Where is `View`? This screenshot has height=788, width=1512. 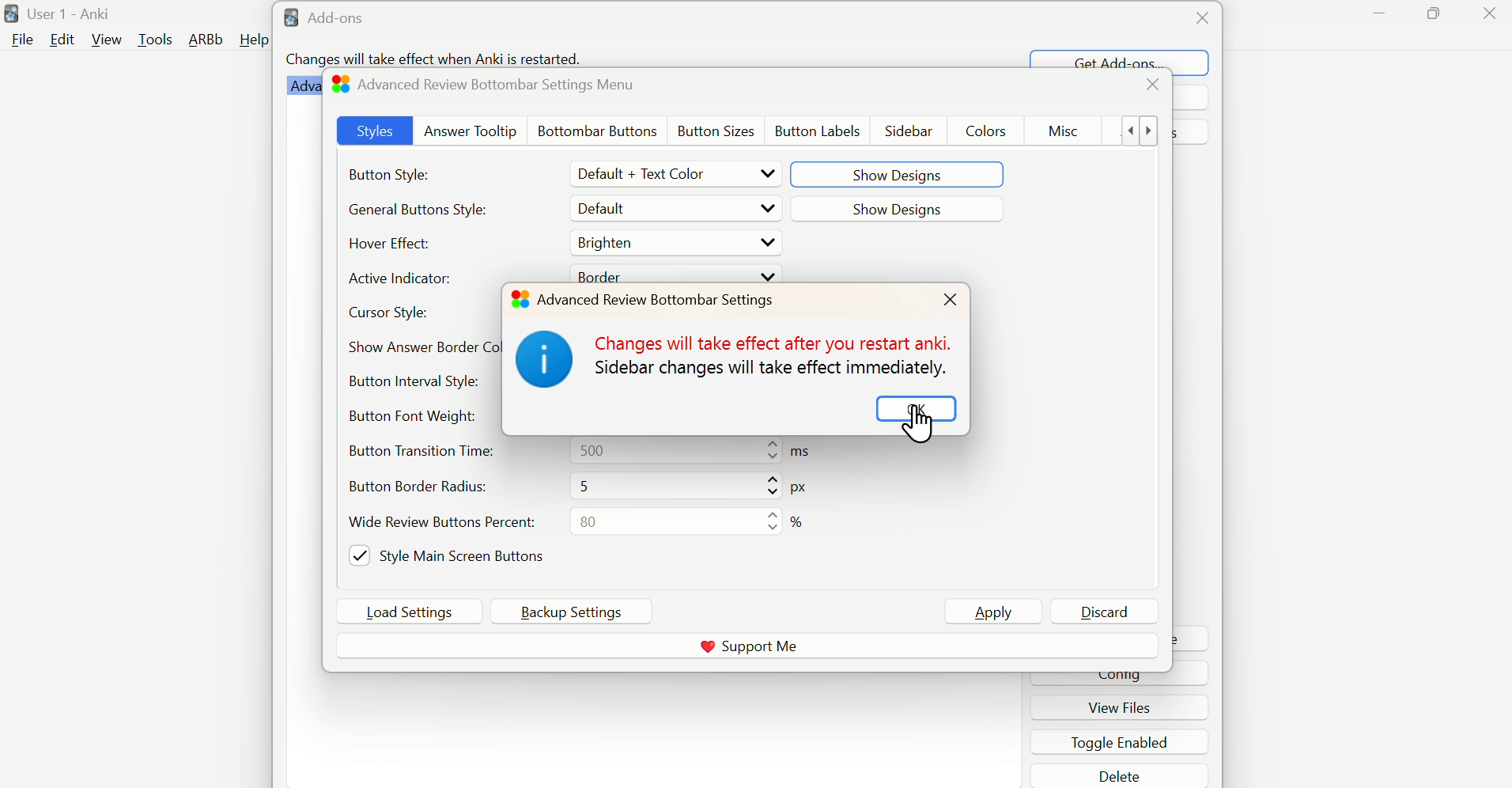 View is located at coordinates (104, 40).